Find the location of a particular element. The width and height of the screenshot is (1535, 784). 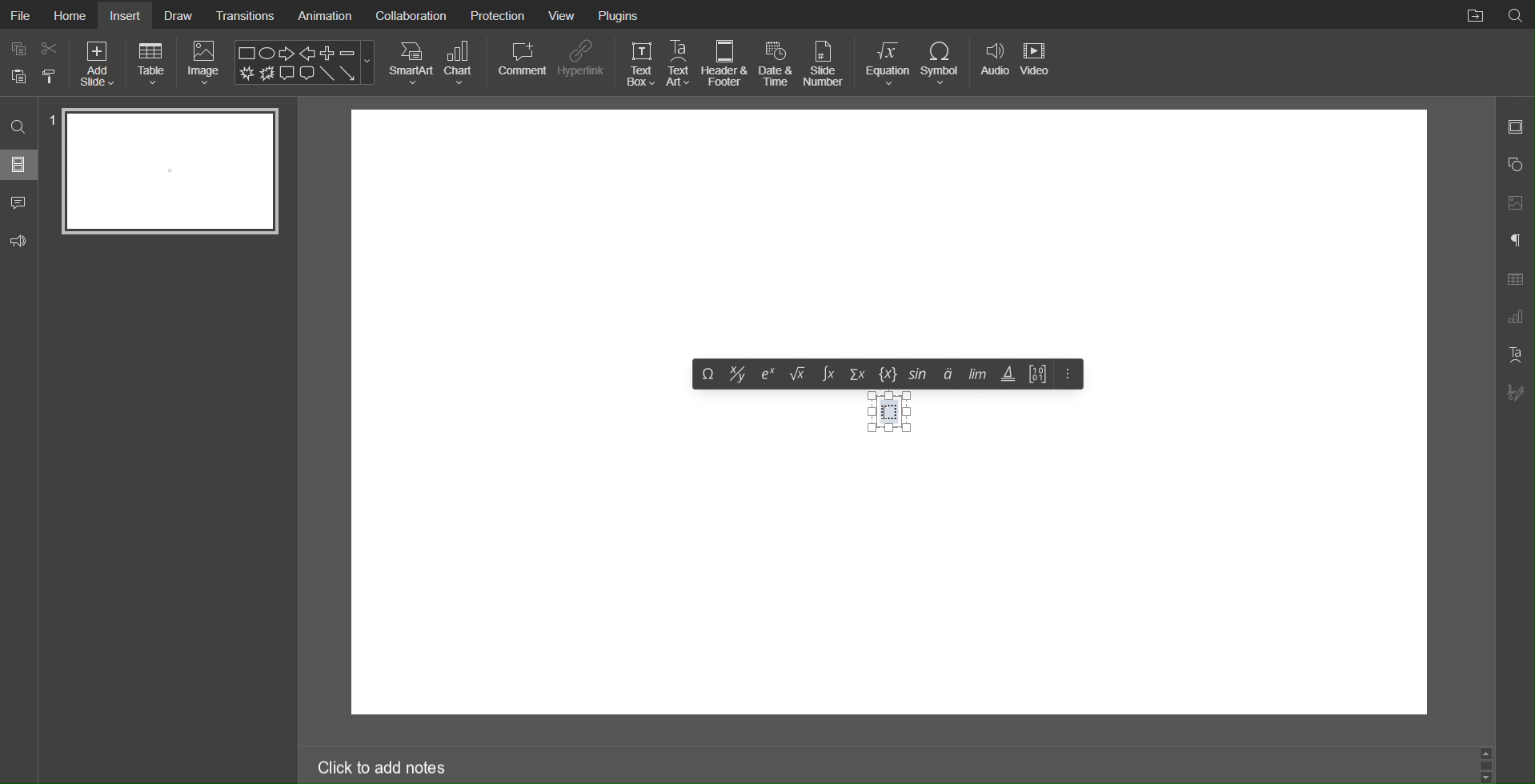

Table is located at coordinates (1515, 279).